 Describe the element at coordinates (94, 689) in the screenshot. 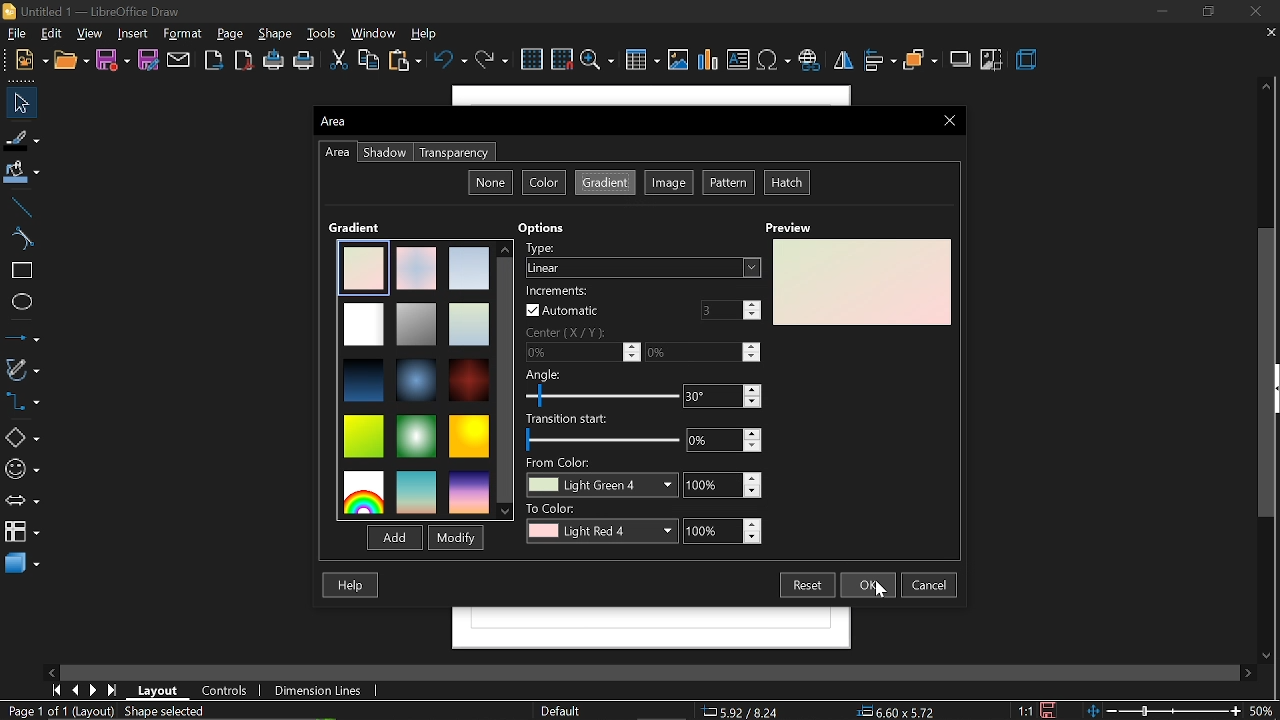

I see `next page` at that location.